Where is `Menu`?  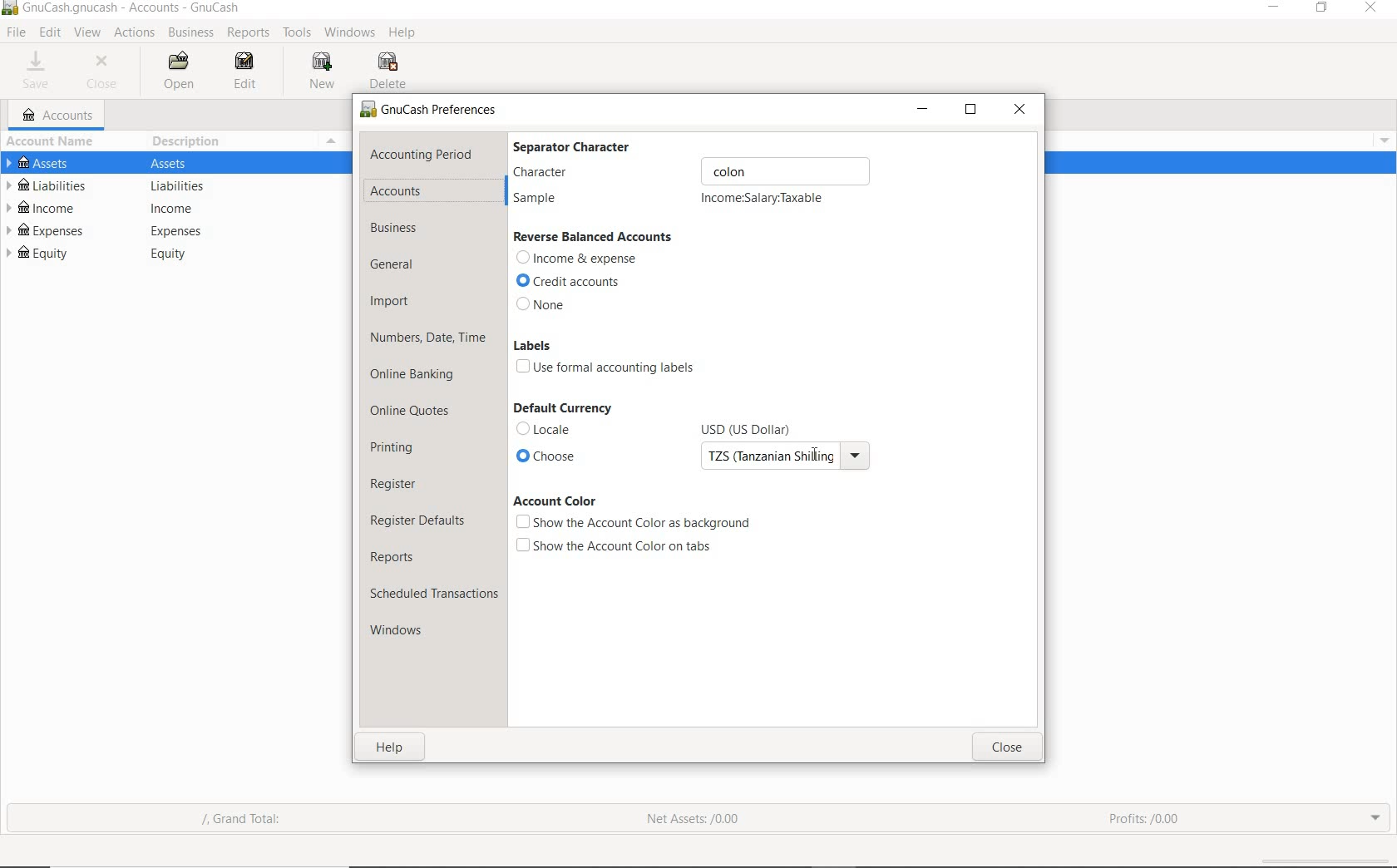
Menu is located at coordinates (333, 141).